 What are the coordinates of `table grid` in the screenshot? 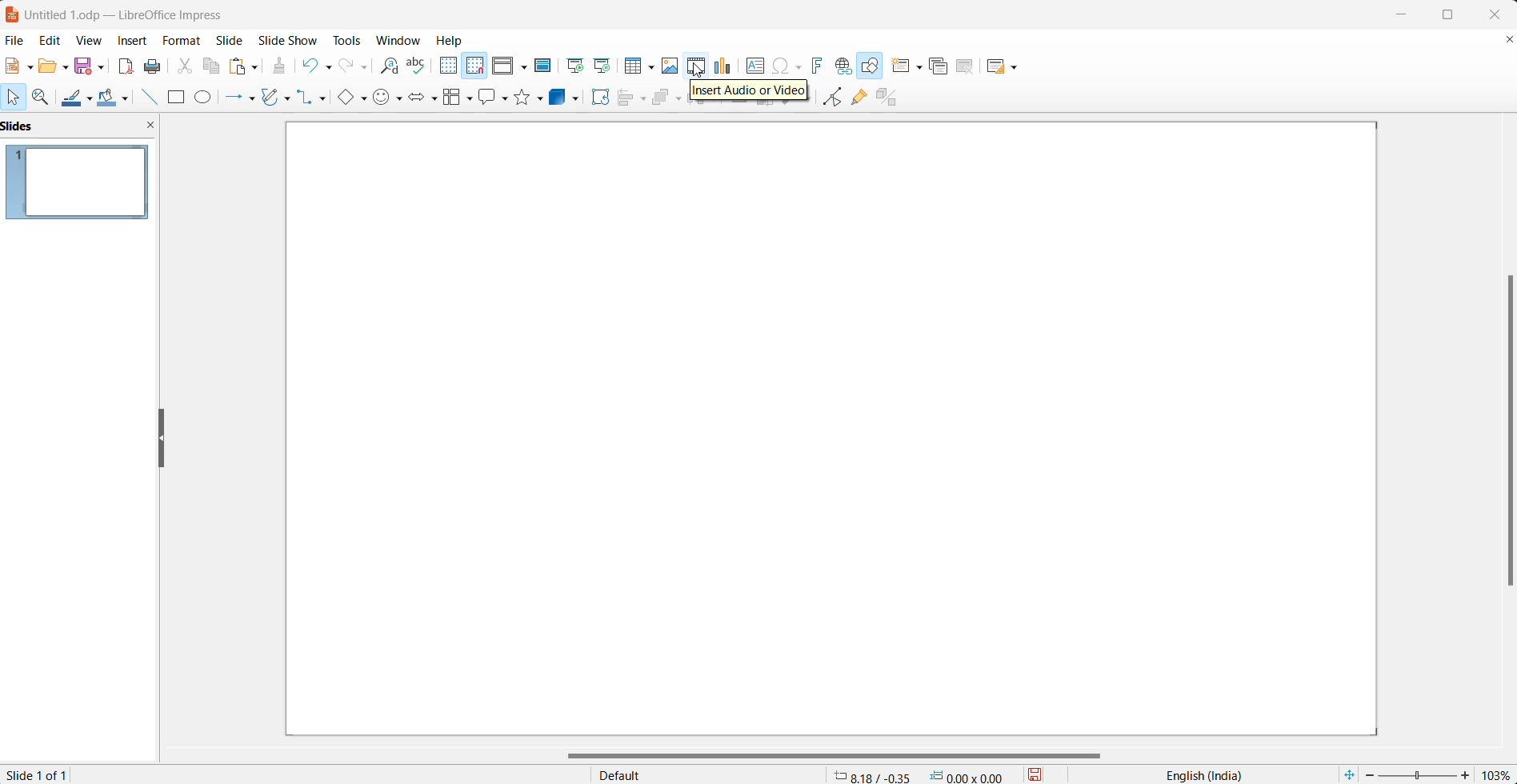 It's located at (654, 68).